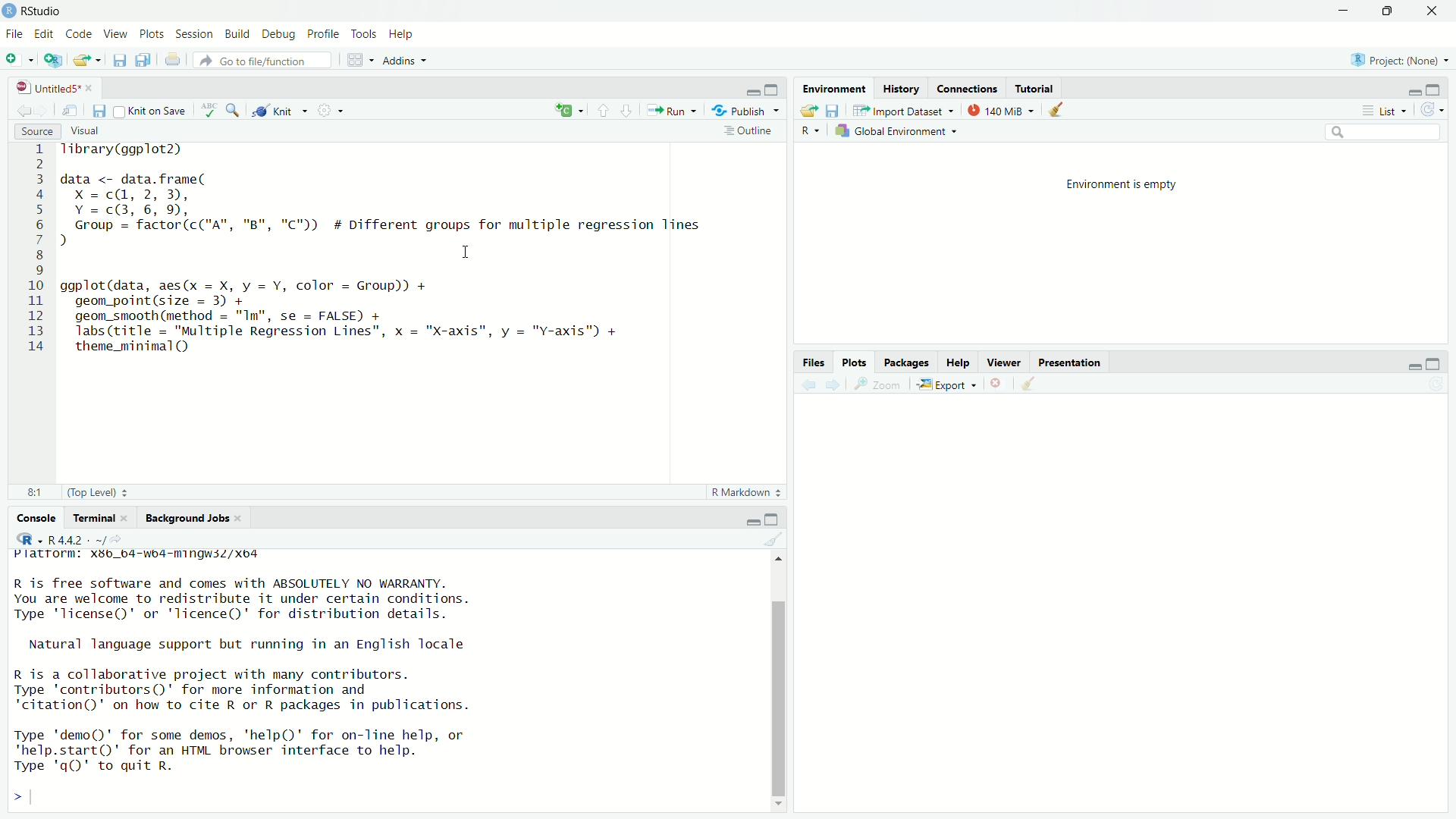 This screenshot has height=819, width=1456. Describe the element at coordinates (194, 33) in the screenshot. I see `Session` at that location.